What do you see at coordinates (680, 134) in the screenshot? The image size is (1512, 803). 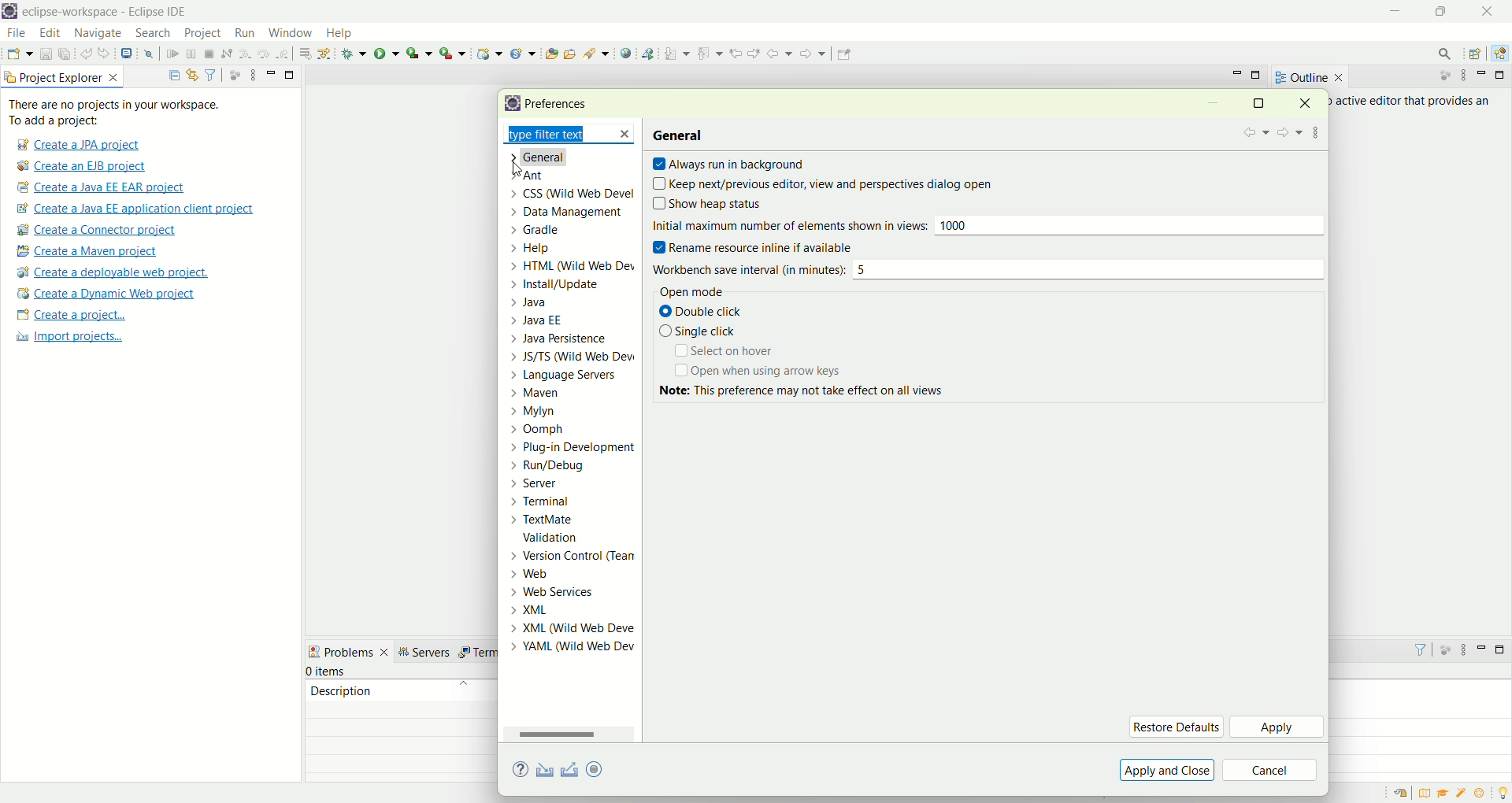 I see `general` at bounding box center [680, 134].